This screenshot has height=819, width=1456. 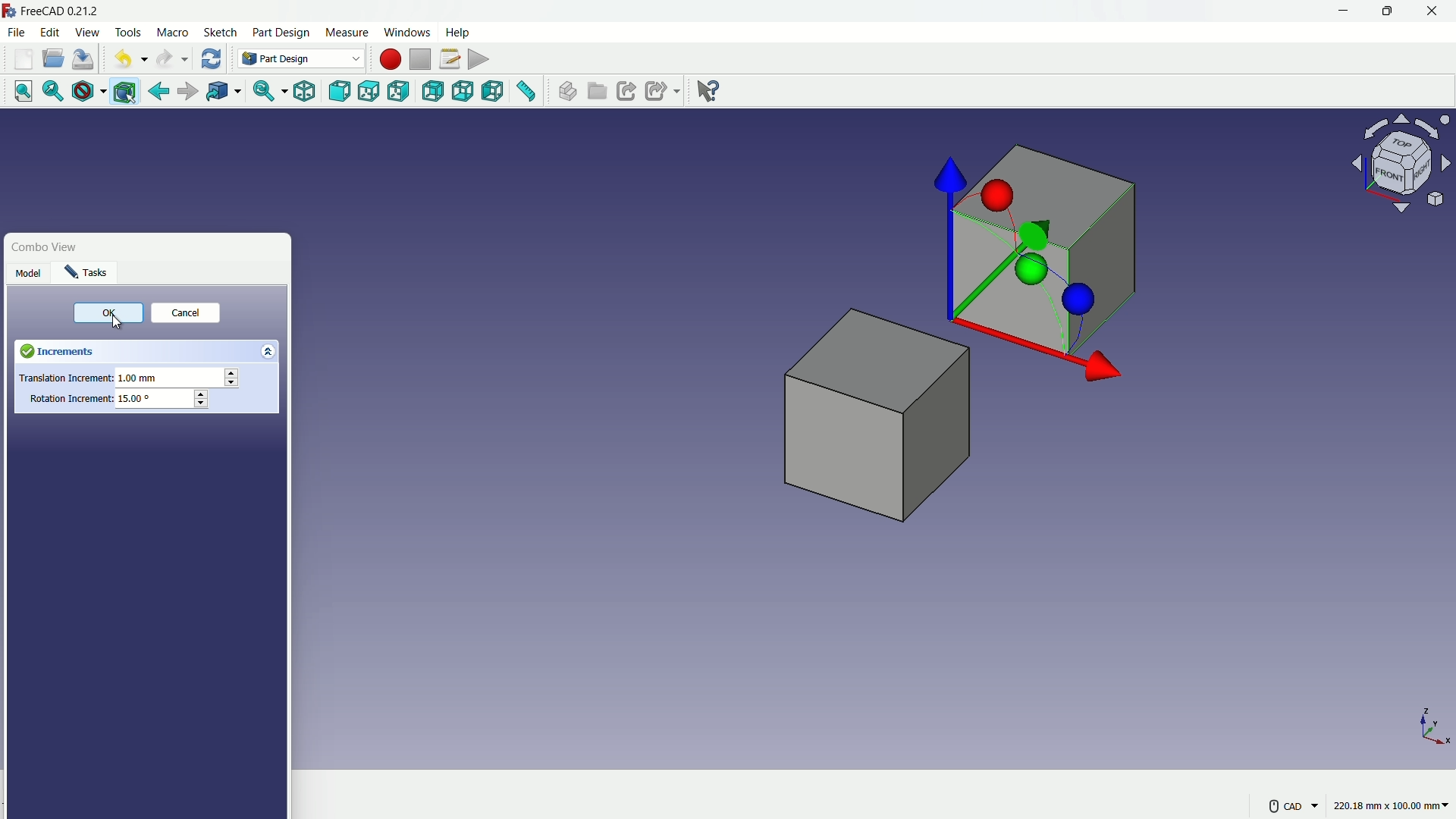 What do you see at coordinates (460, 31) in the screenshot?
I see `help` at bounding box center [460, 31].